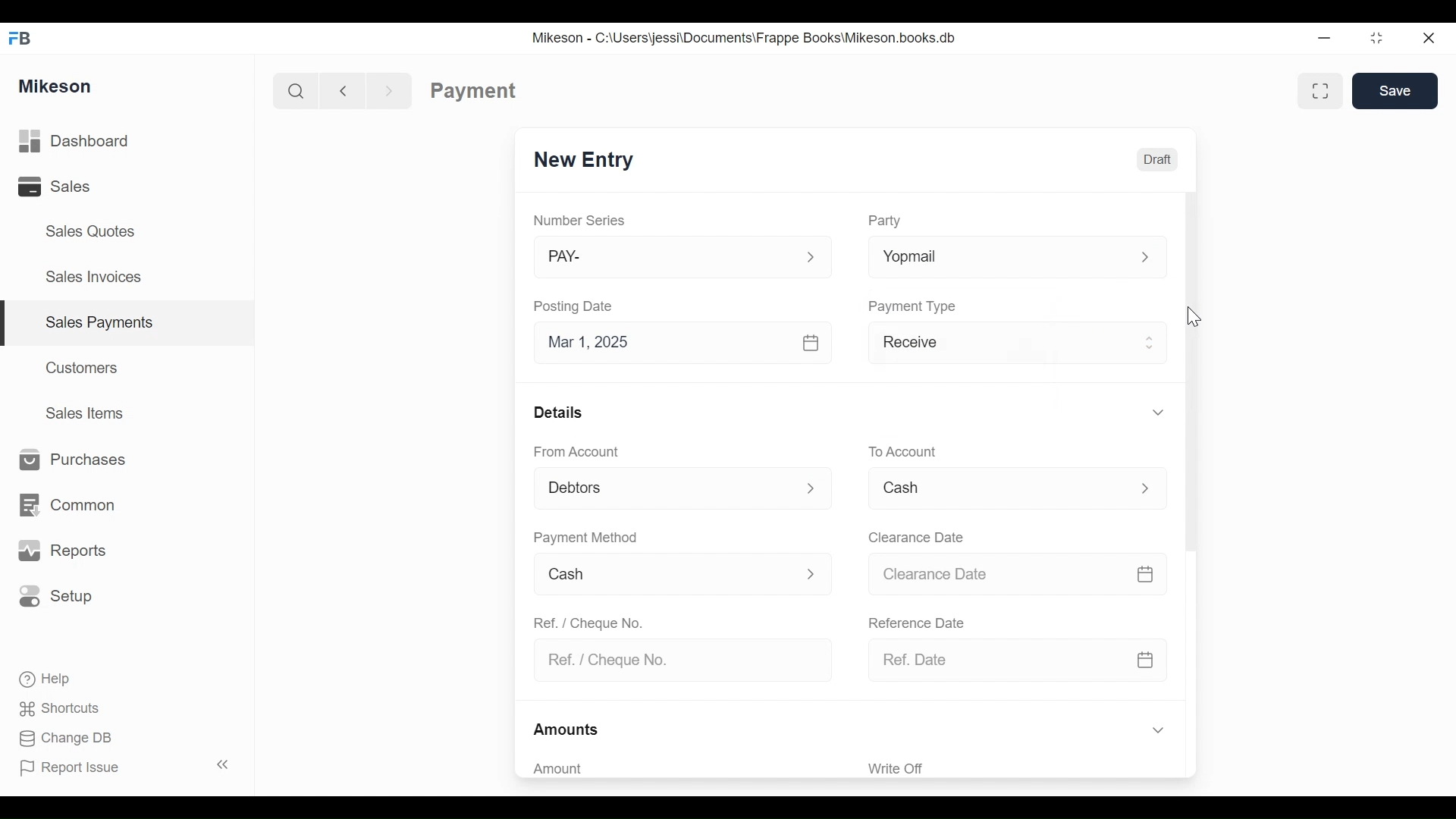 The image size is (1456, 819). What do you see at coordinates (291, 89) in the screenshot?
I see `Search` at bounding box center [291, 89].